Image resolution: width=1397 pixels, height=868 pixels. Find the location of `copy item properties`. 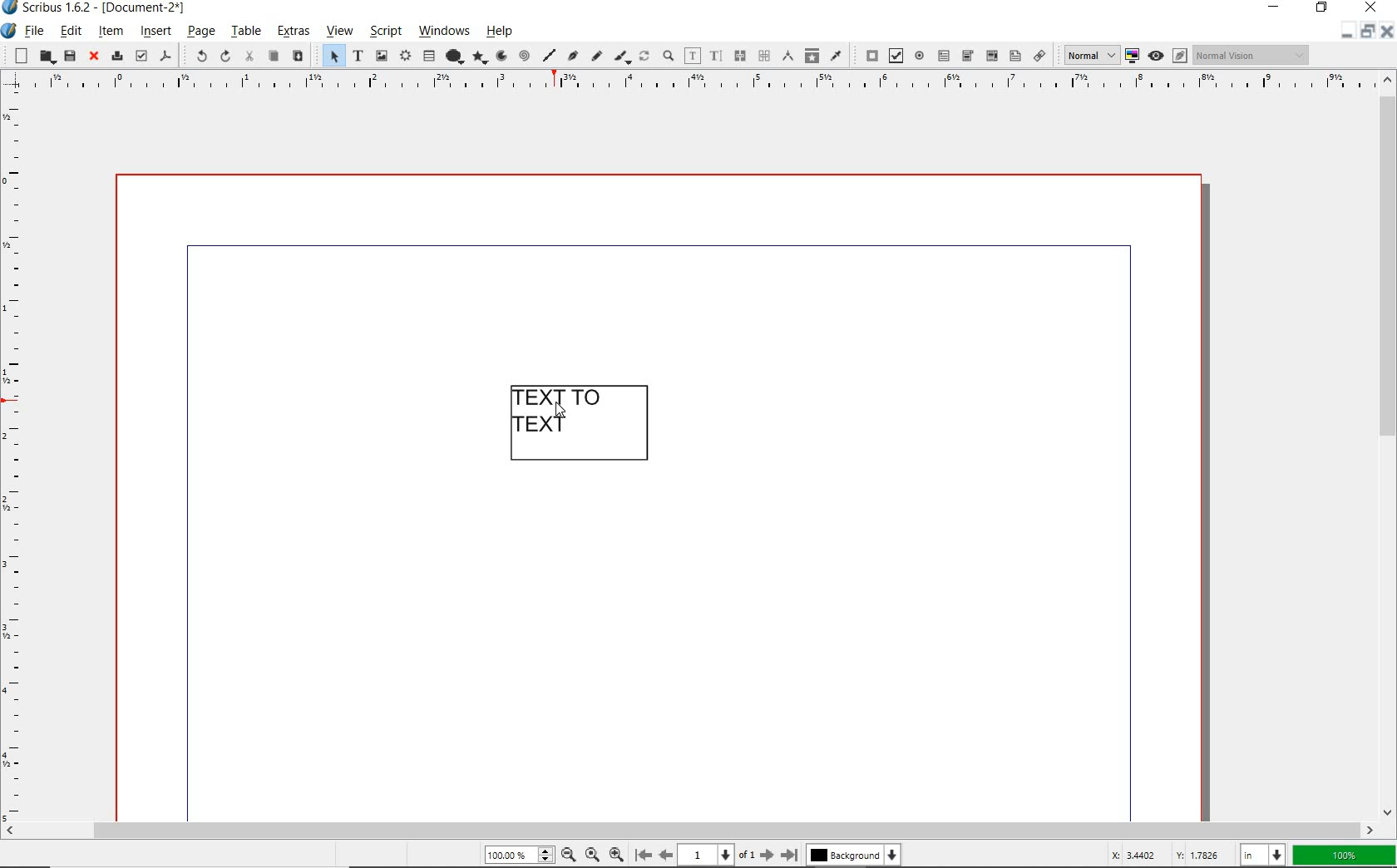

copy item properties is located at coordinates (812, 55).